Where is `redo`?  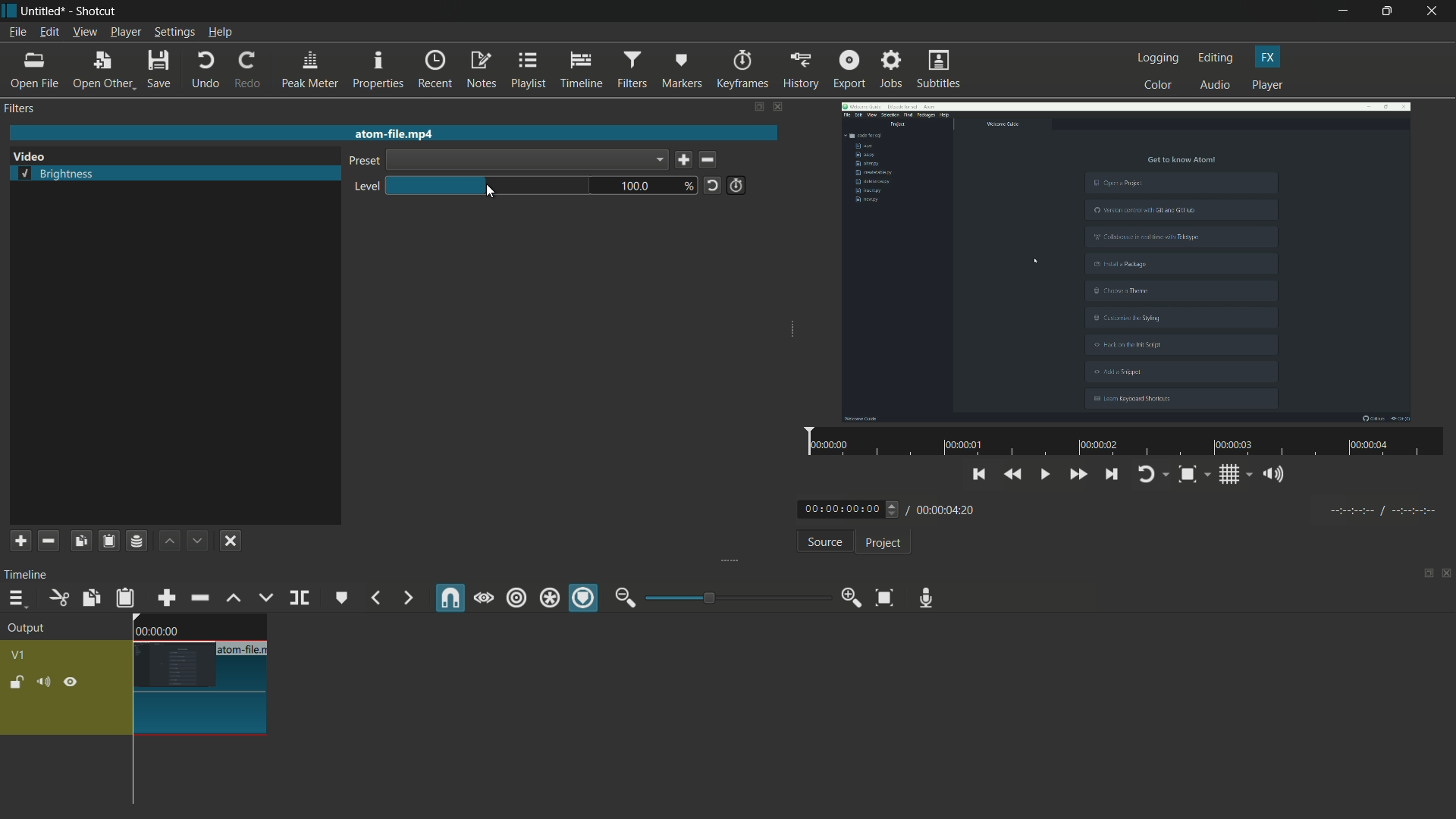 redo is located at coordinates (246, 70).